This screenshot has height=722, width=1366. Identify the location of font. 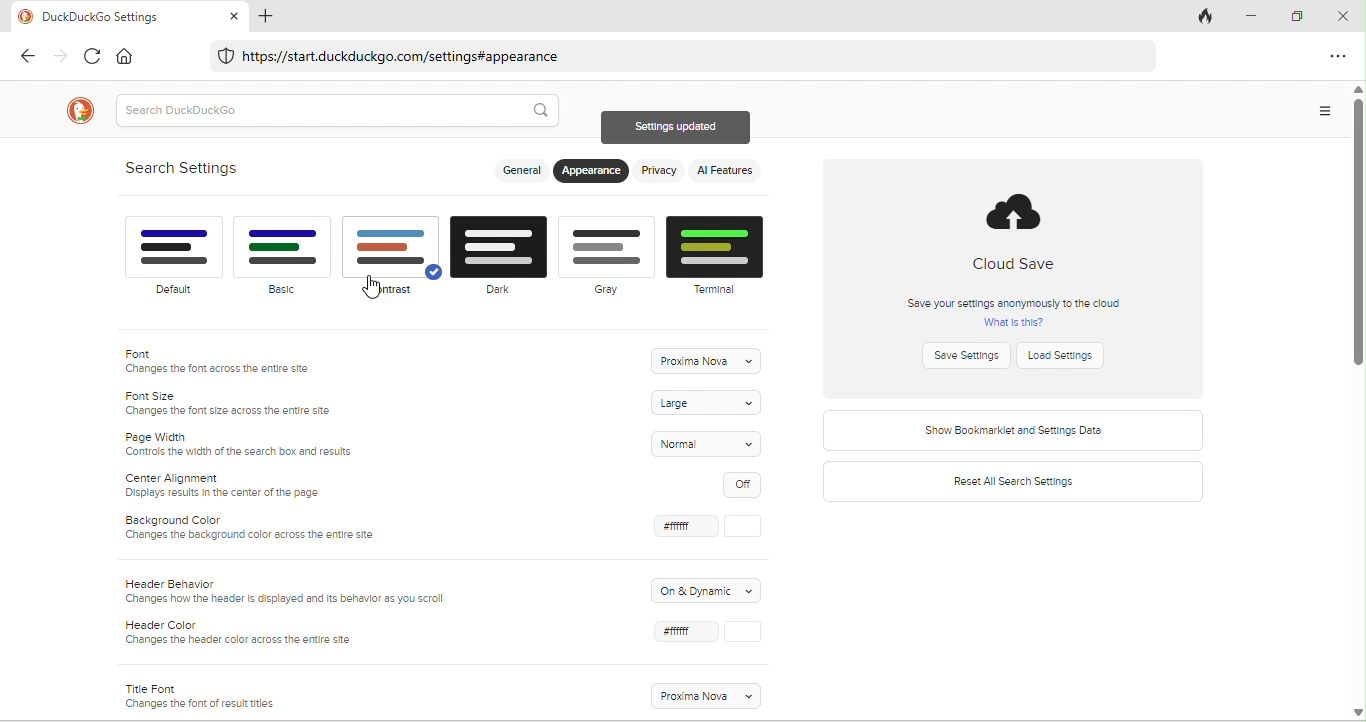
(234, 365).